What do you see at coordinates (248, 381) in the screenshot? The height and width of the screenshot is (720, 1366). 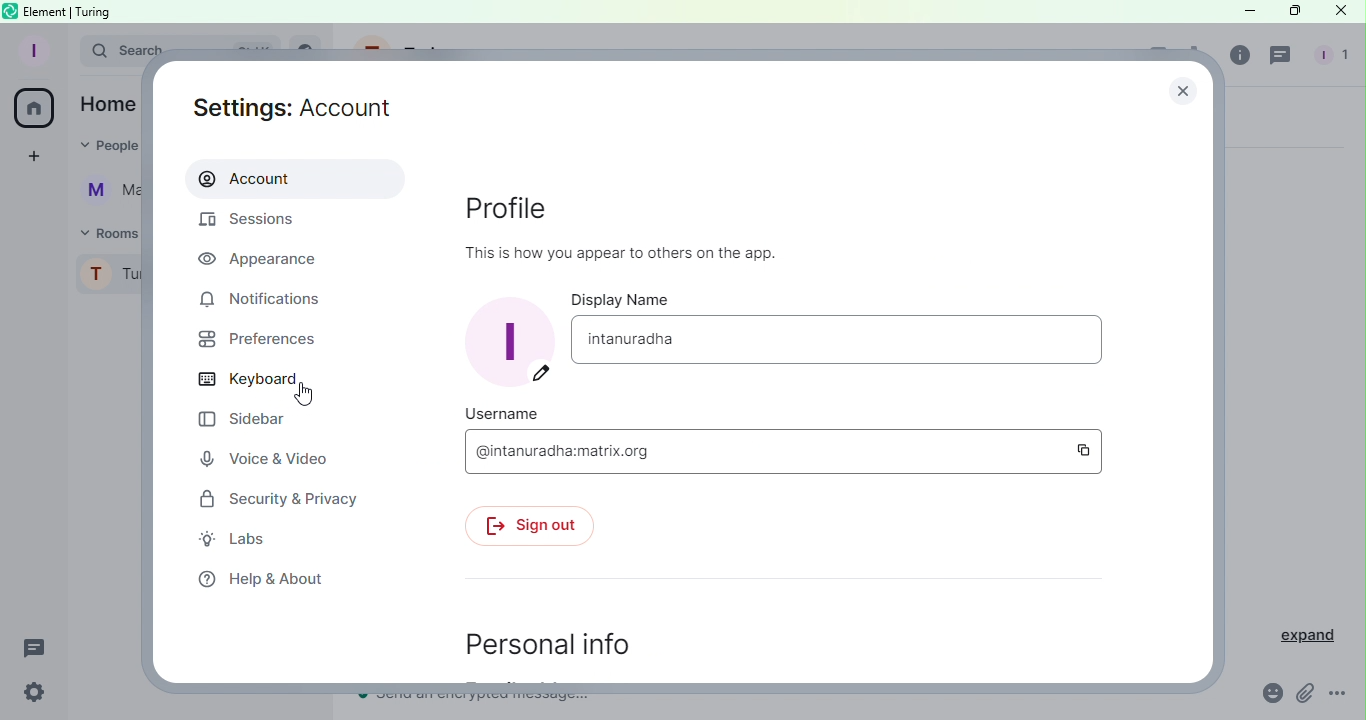 I see `Keyboard` at bounding box center [248, 381].